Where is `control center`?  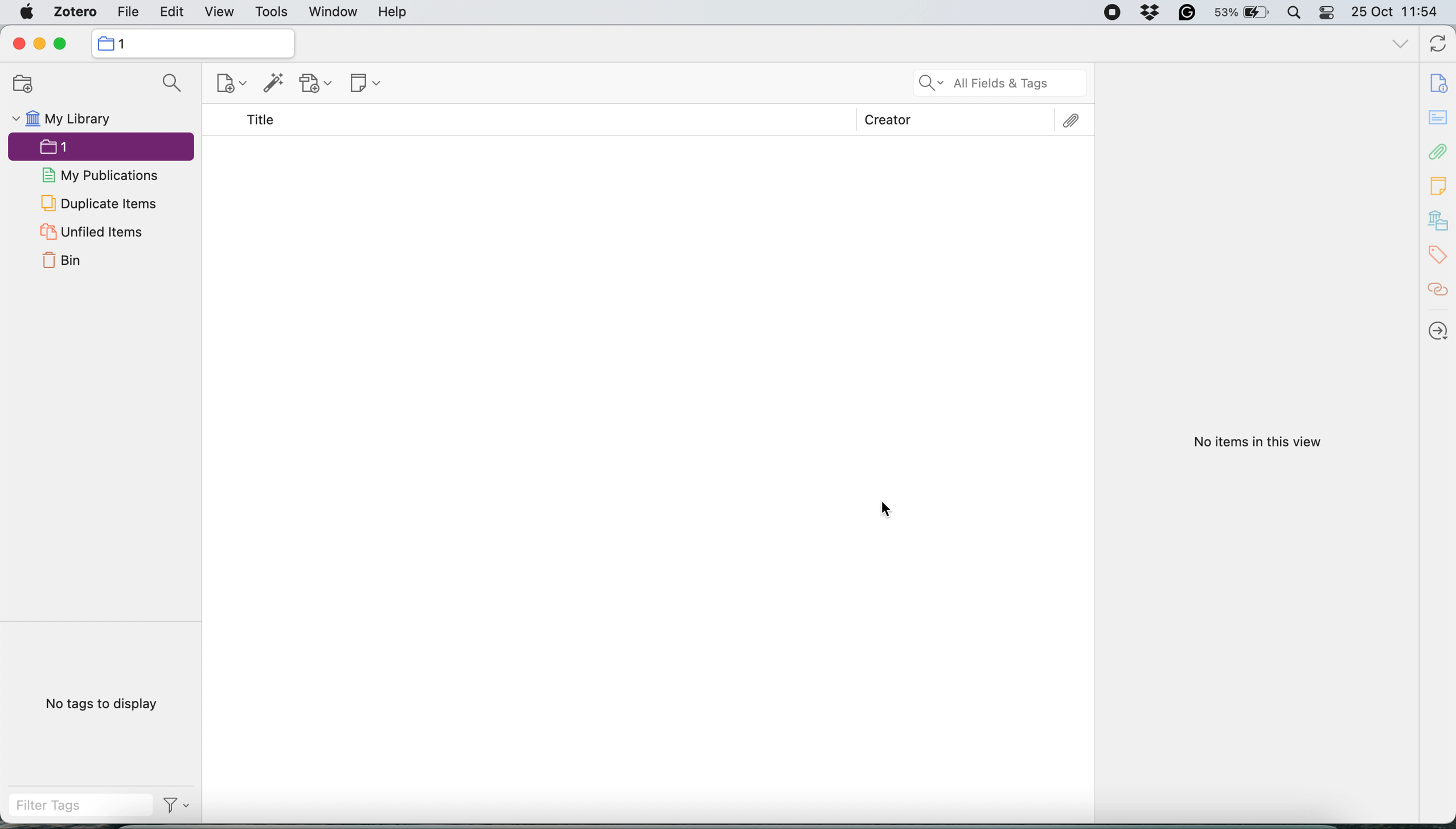 control center is located at coordinates (1328, 13).